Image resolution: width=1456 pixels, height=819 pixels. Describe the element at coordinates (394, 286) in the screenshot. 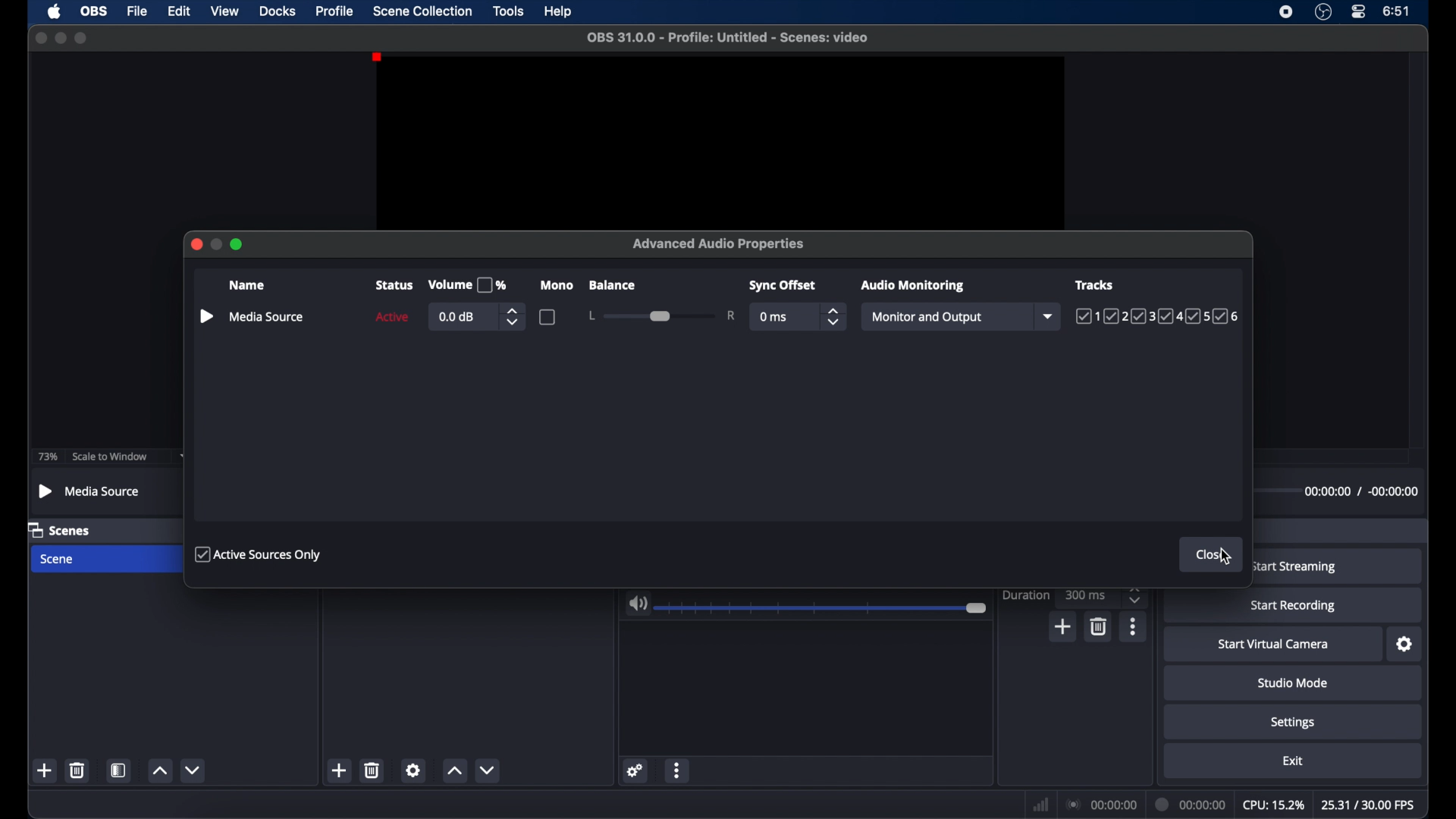

I see `status` at that location.